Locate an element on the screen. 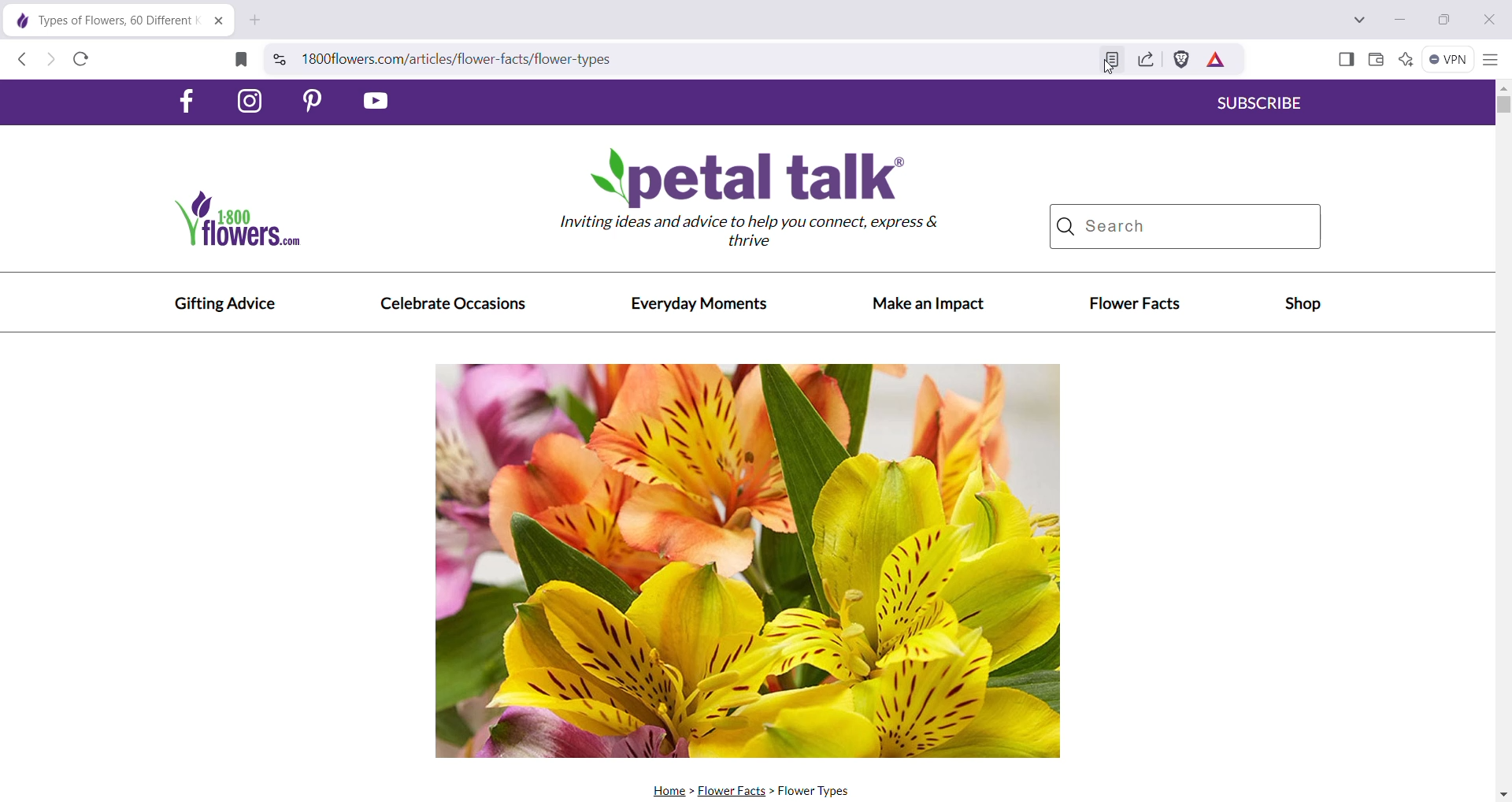  Pinterest is located at coordinates (321, 102).